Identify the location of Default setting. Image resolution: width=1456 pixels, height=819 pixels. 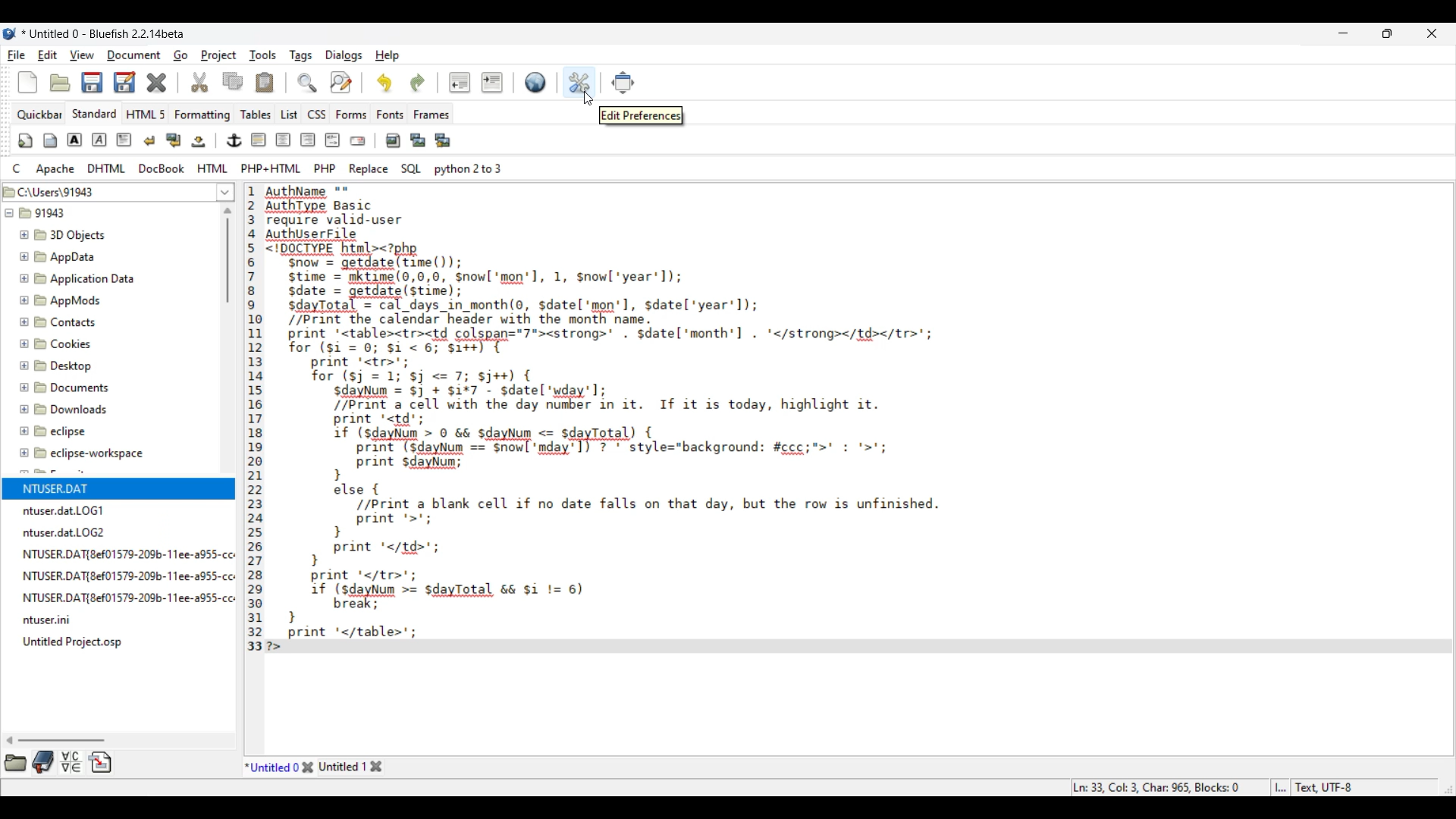
(535, 82).